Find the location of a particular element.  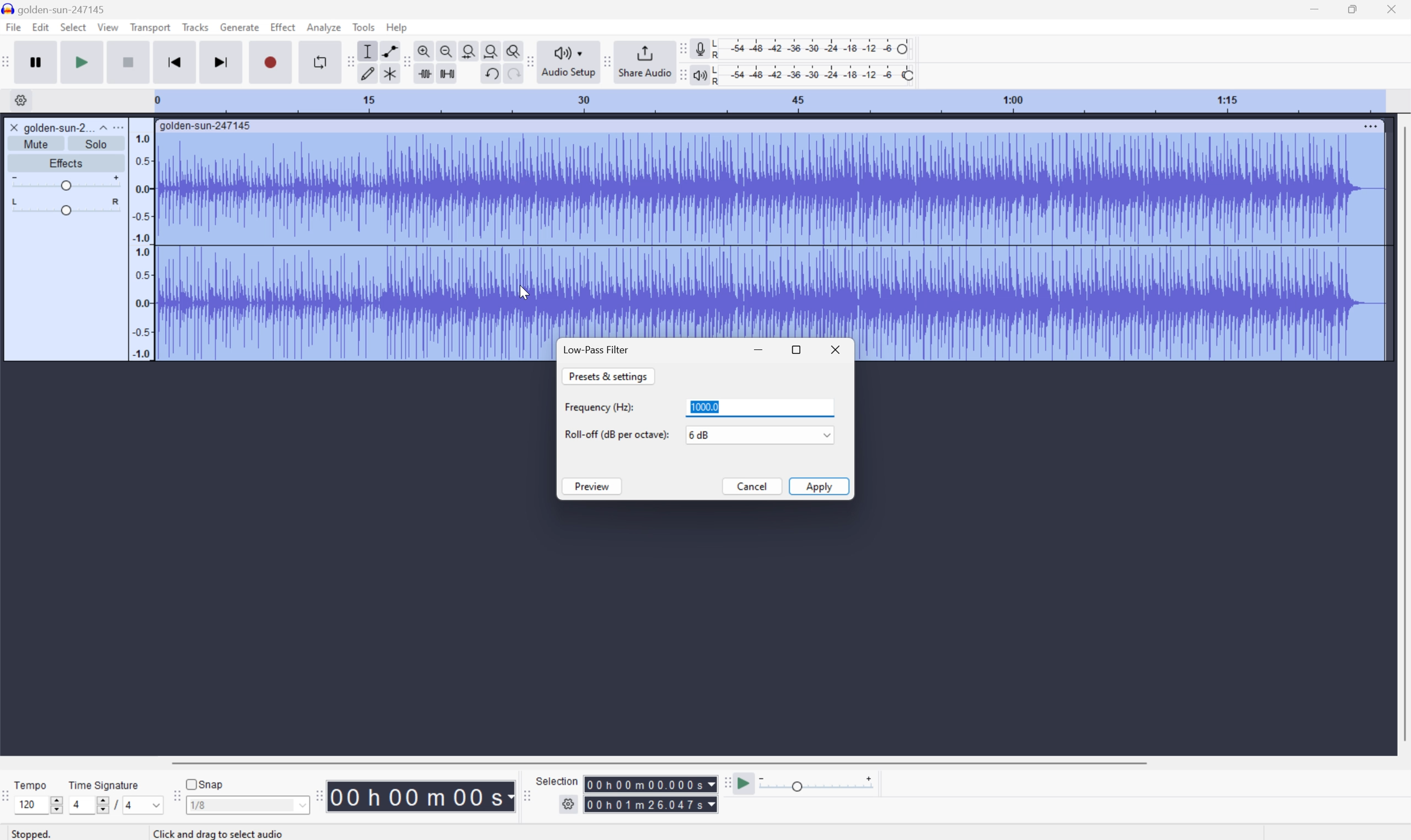

Audio is located at coordinates (770, 235).